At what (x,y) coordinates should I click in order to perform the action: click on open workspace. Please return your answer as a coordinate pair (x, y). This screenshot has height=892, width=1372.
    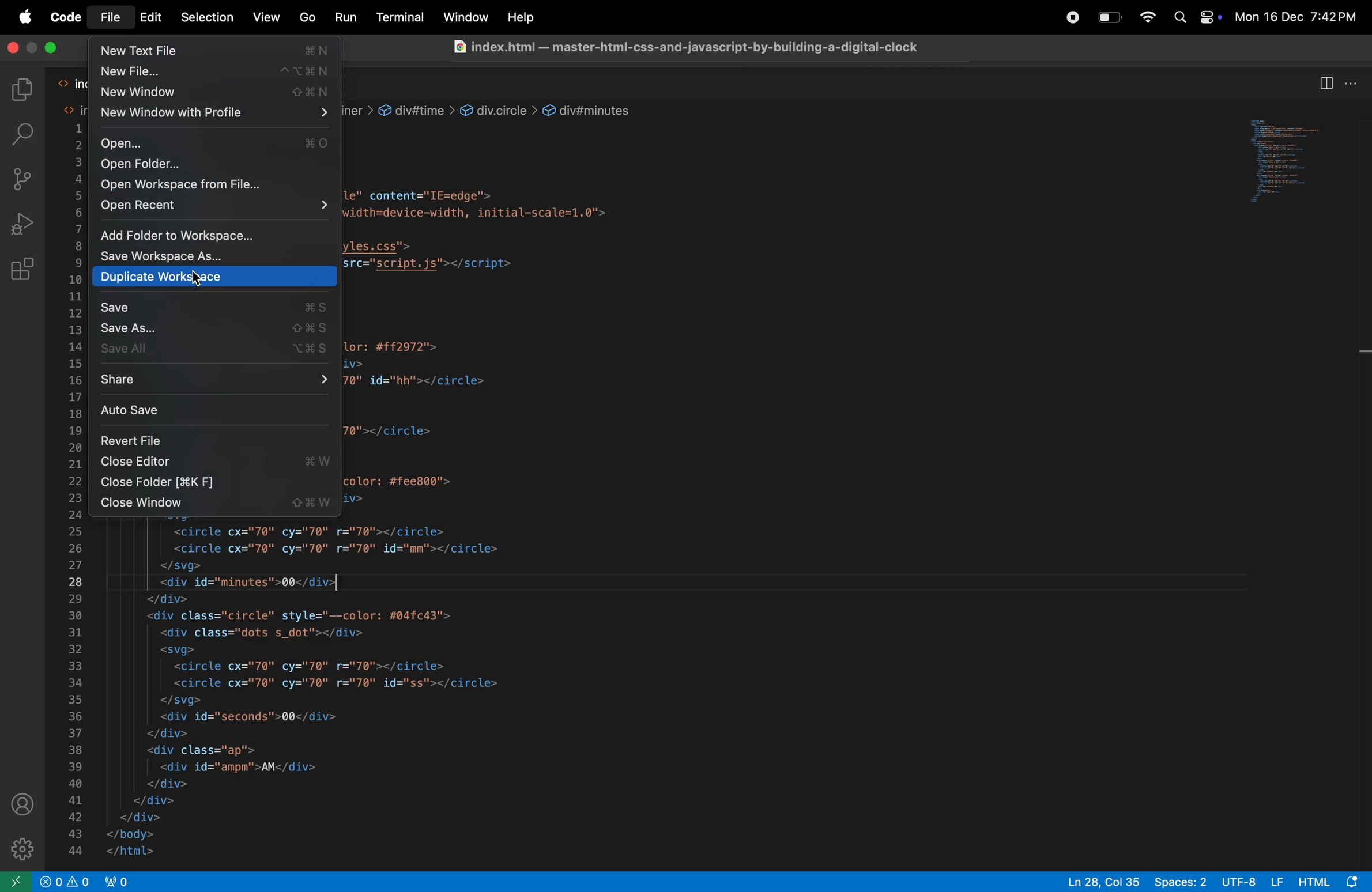
    Looking at the image, I should click on (211, 187).